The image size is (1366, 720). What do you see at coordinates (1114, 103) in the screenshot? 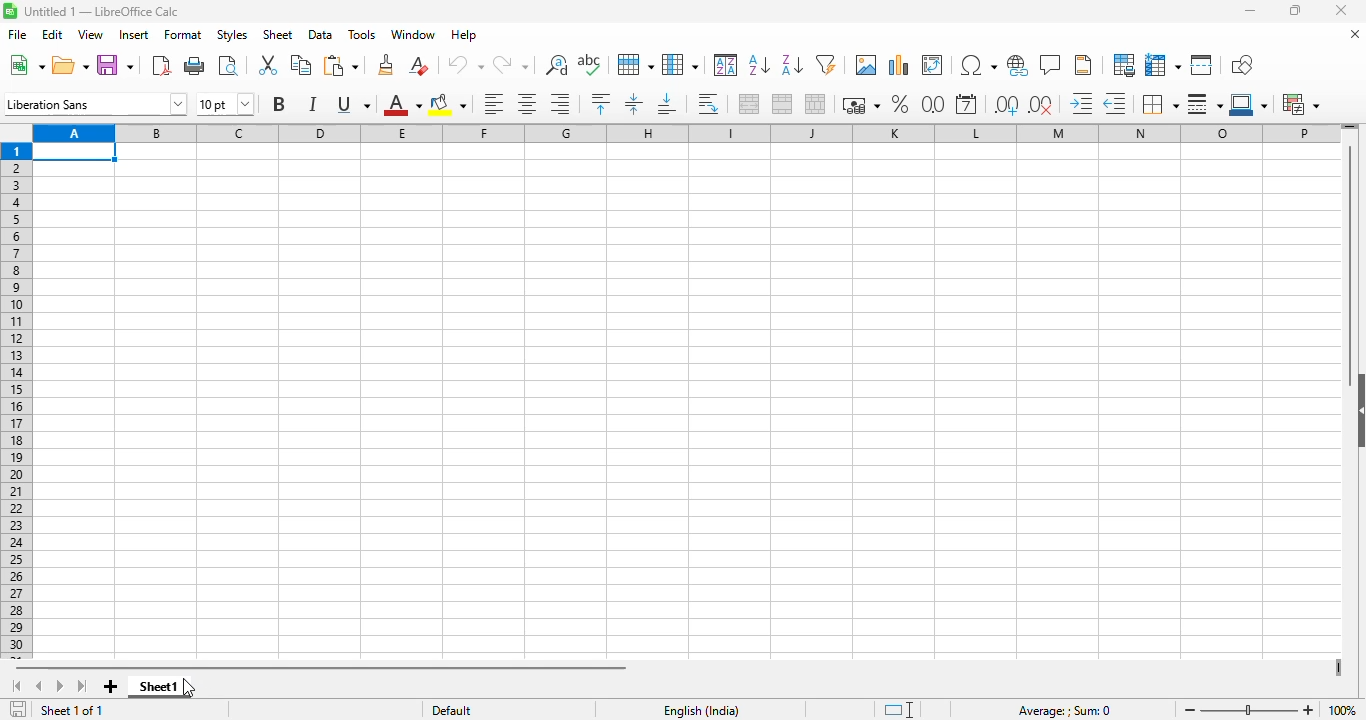
I see `decrease indent` at bounding box center [1114, 103].